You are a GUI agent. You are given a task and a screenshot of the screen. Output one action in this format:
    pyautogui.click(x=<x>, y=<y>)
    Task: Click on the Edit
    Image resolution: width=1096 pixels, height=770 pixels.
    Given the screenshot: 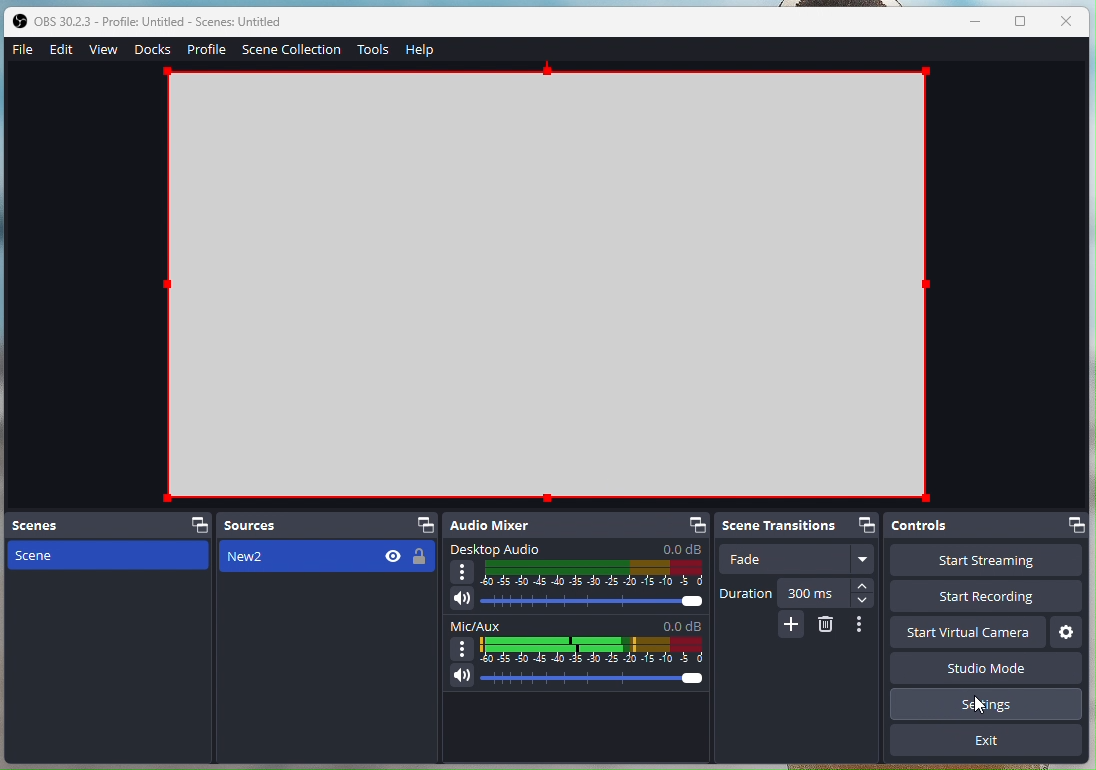 What is the action you would take?
    pyautogui.click(x=62, y=49)
    